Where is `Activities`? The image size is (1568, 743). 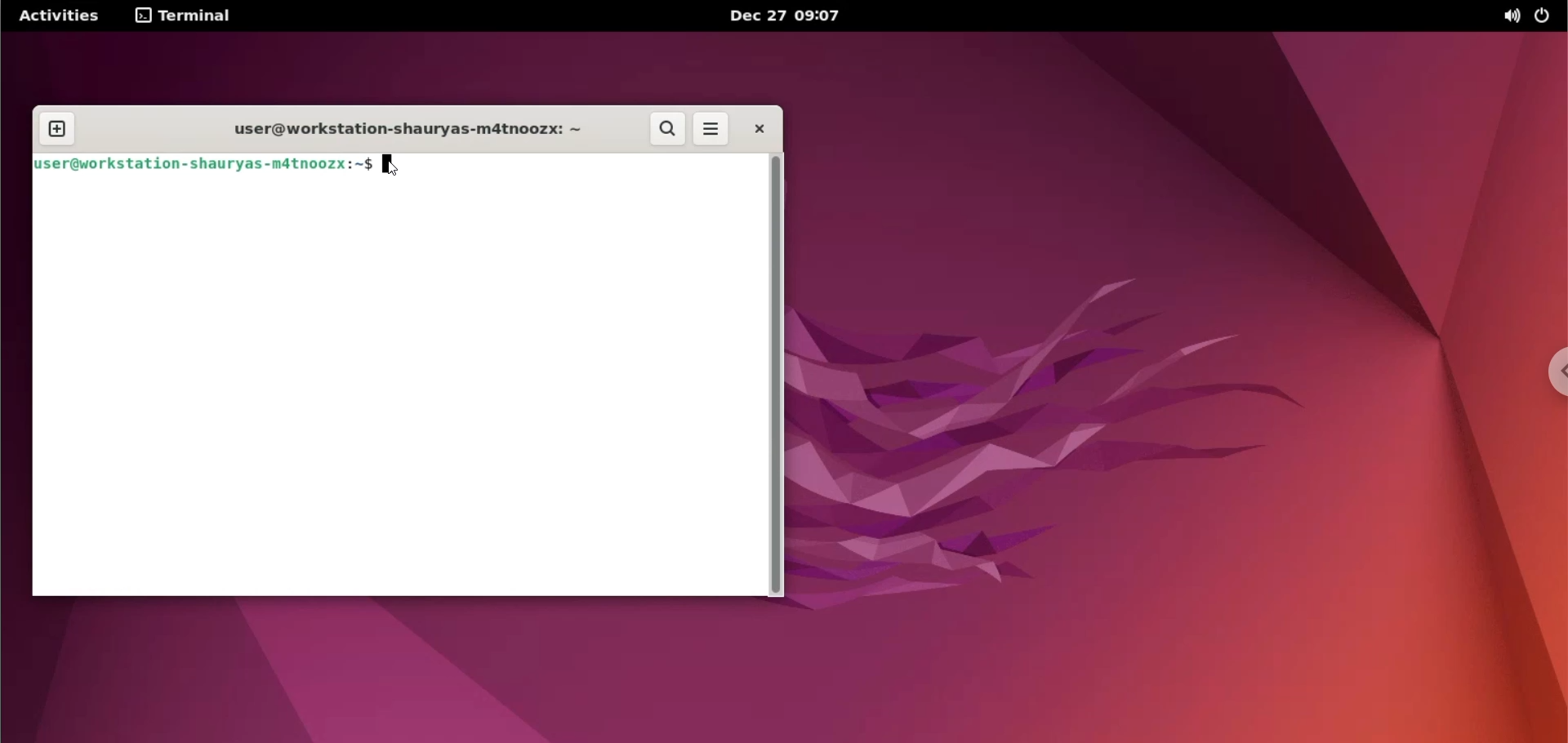
Activities is located at coordinates (60, 15).